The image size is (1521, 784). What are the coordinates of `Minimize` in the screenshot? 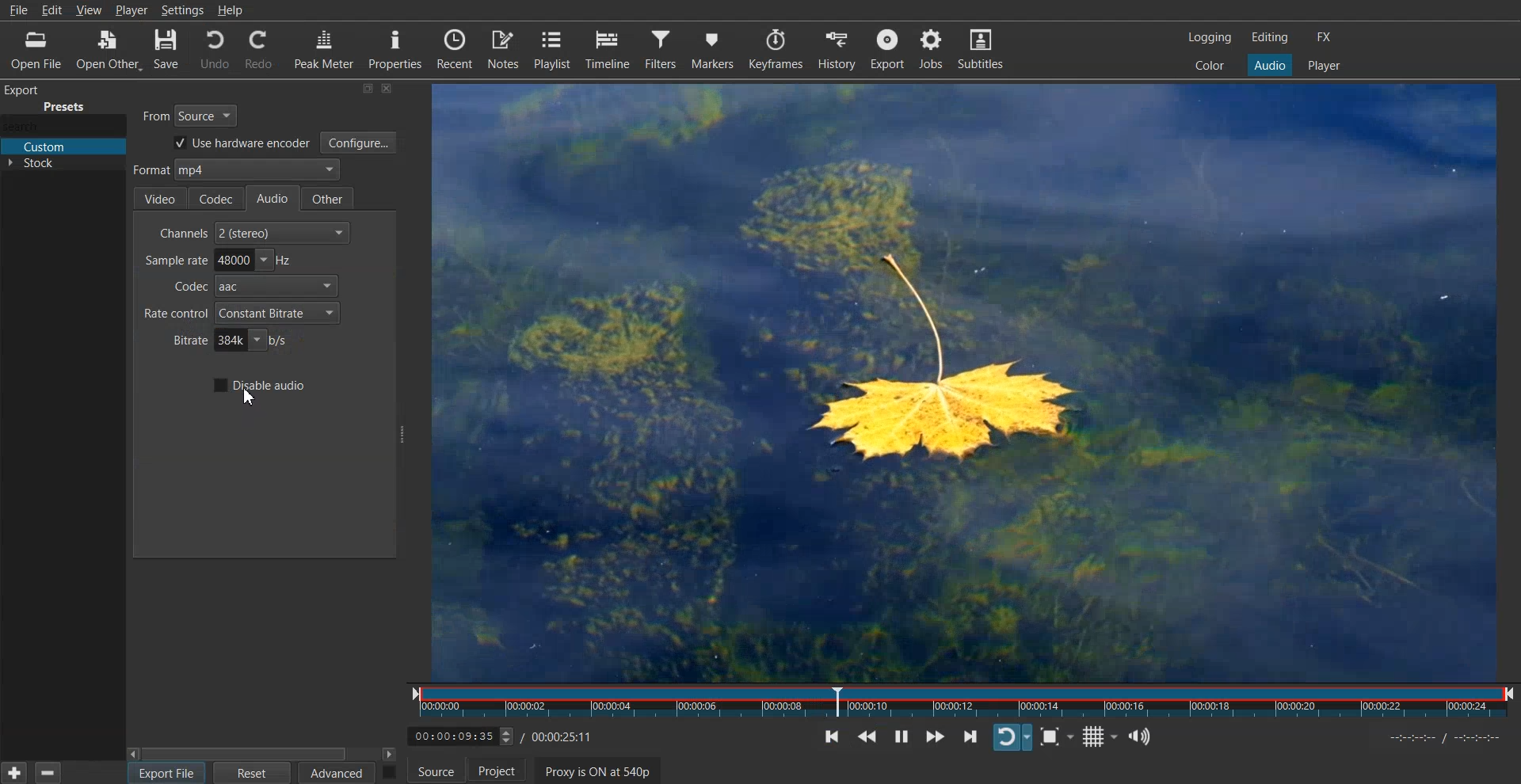 It's located at (368, 88).